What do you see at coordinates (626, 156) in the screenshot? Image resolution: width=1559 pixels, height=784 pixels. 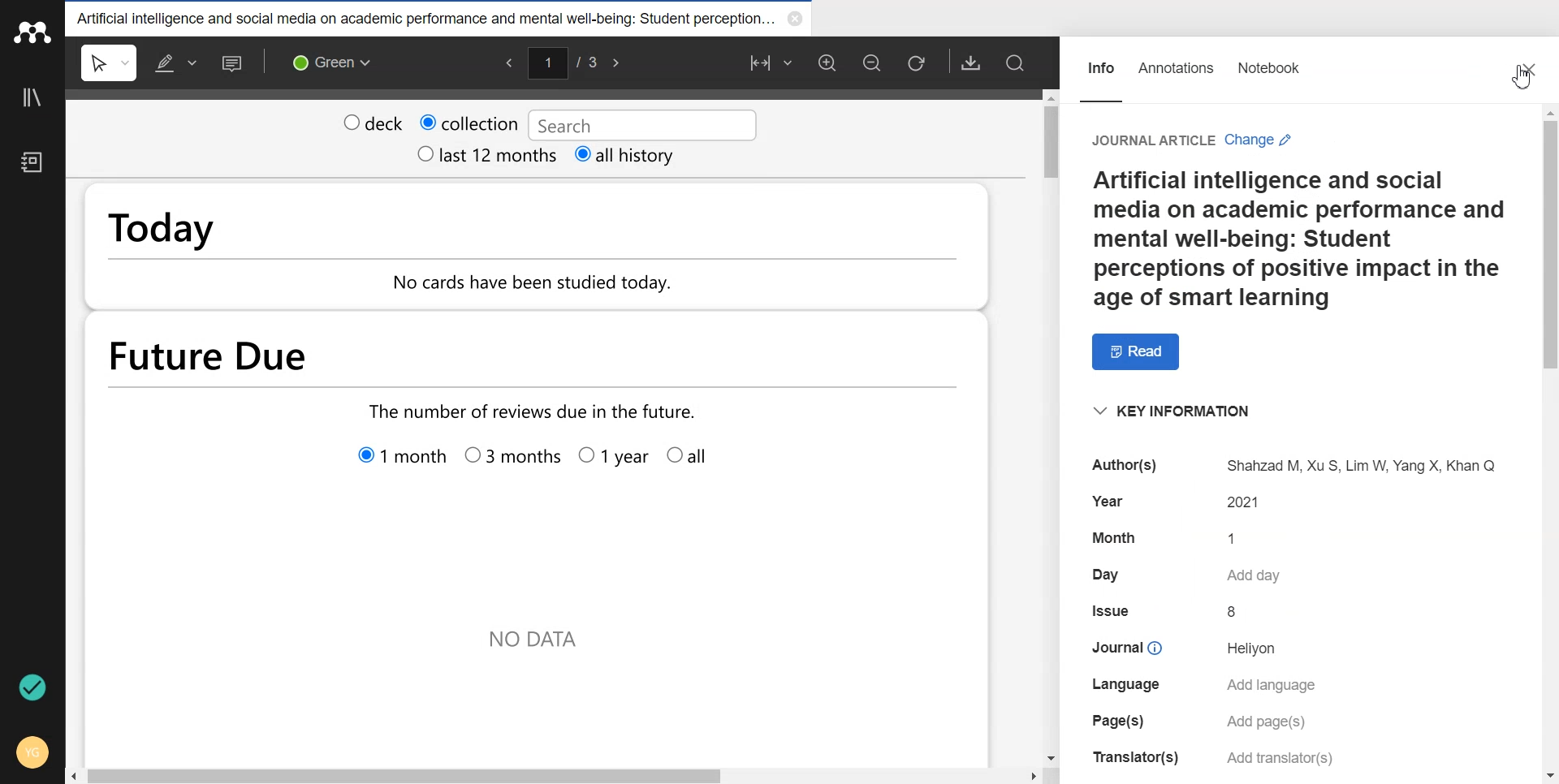 I see `all history` at bounding box center [626, 156].